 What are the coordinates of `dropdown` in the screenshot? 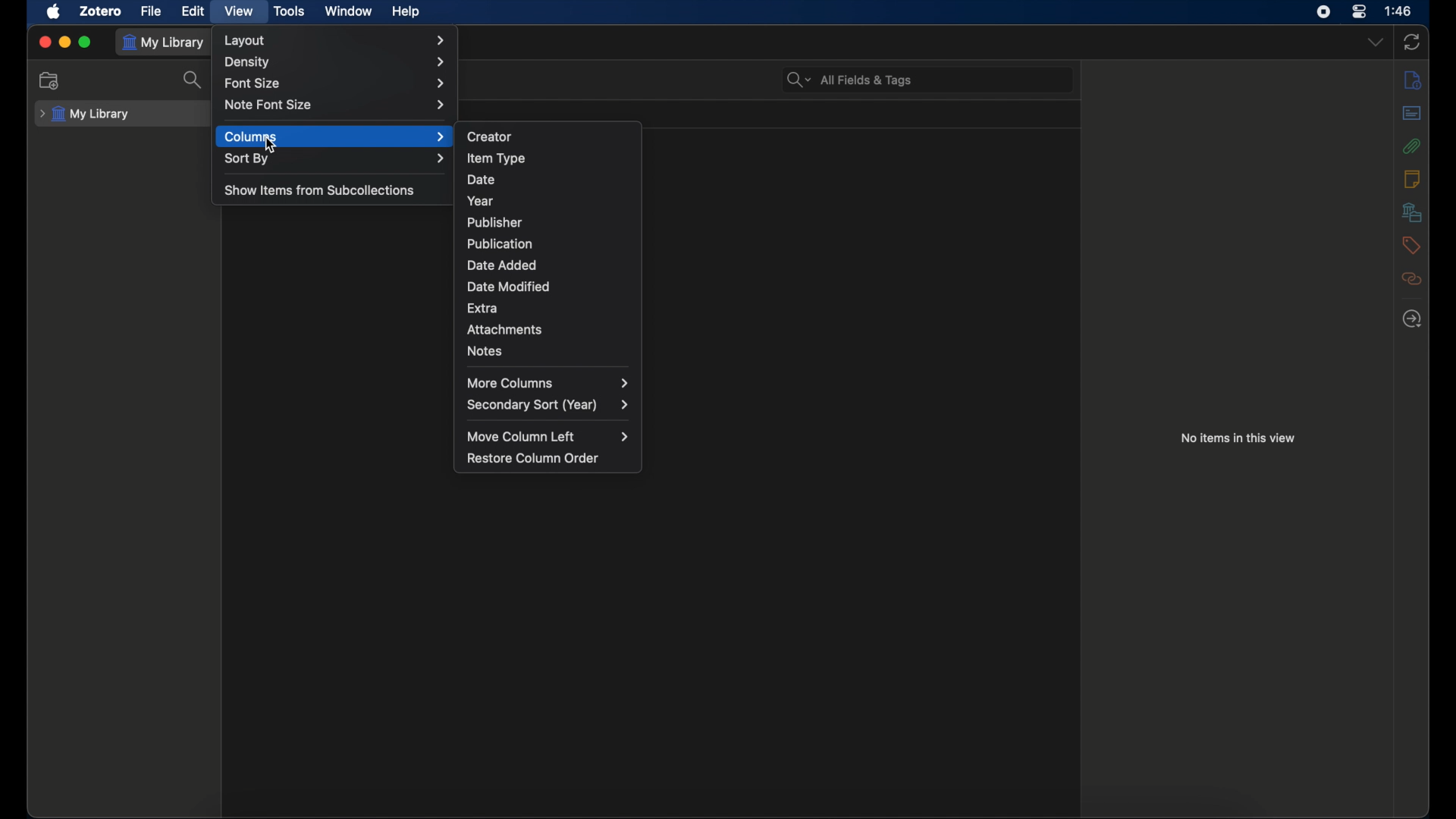 It's located at (1375, 42).